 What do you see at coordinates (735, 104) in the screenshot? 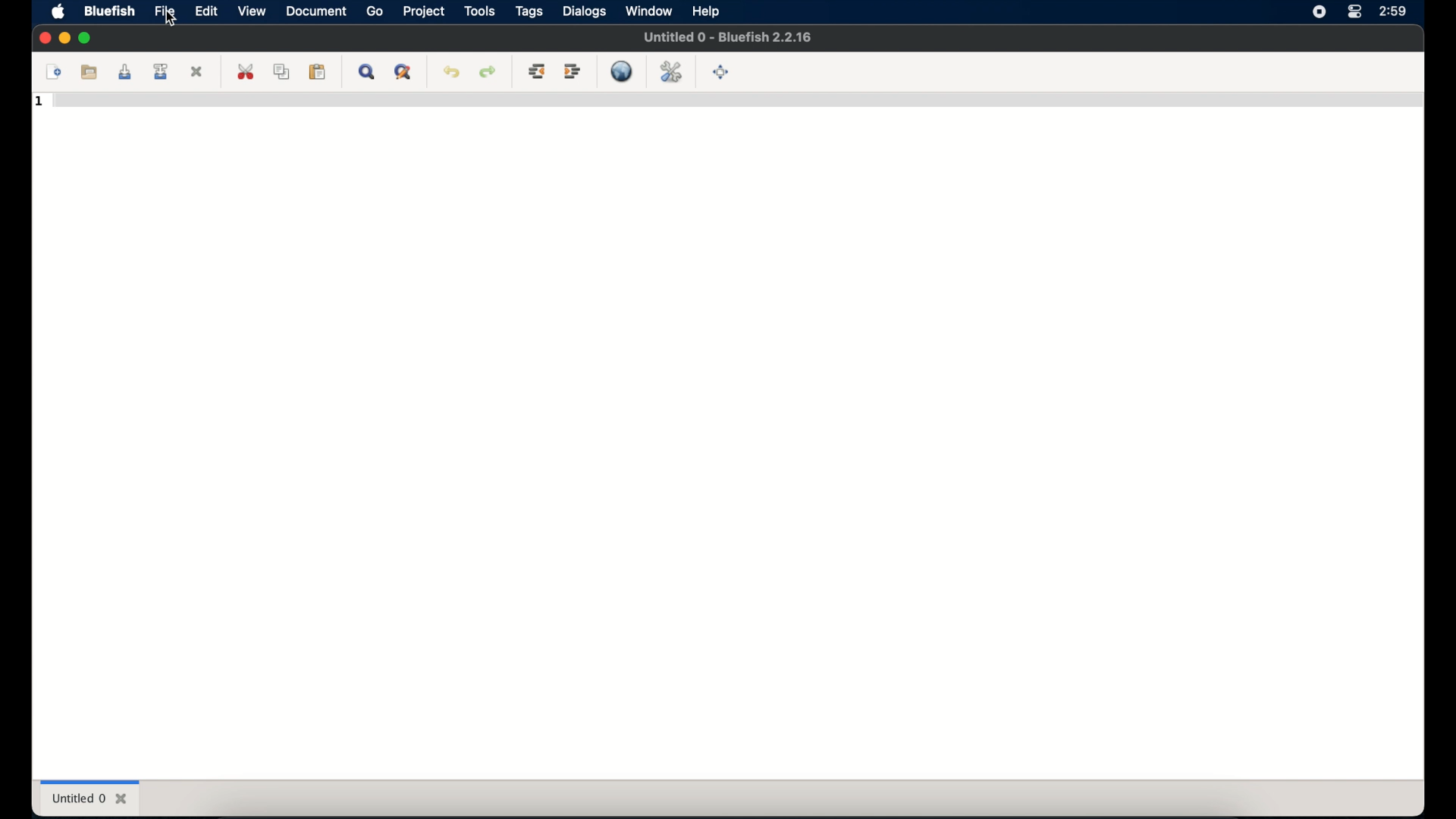
I see `code line` at bounding box center [735, 104].